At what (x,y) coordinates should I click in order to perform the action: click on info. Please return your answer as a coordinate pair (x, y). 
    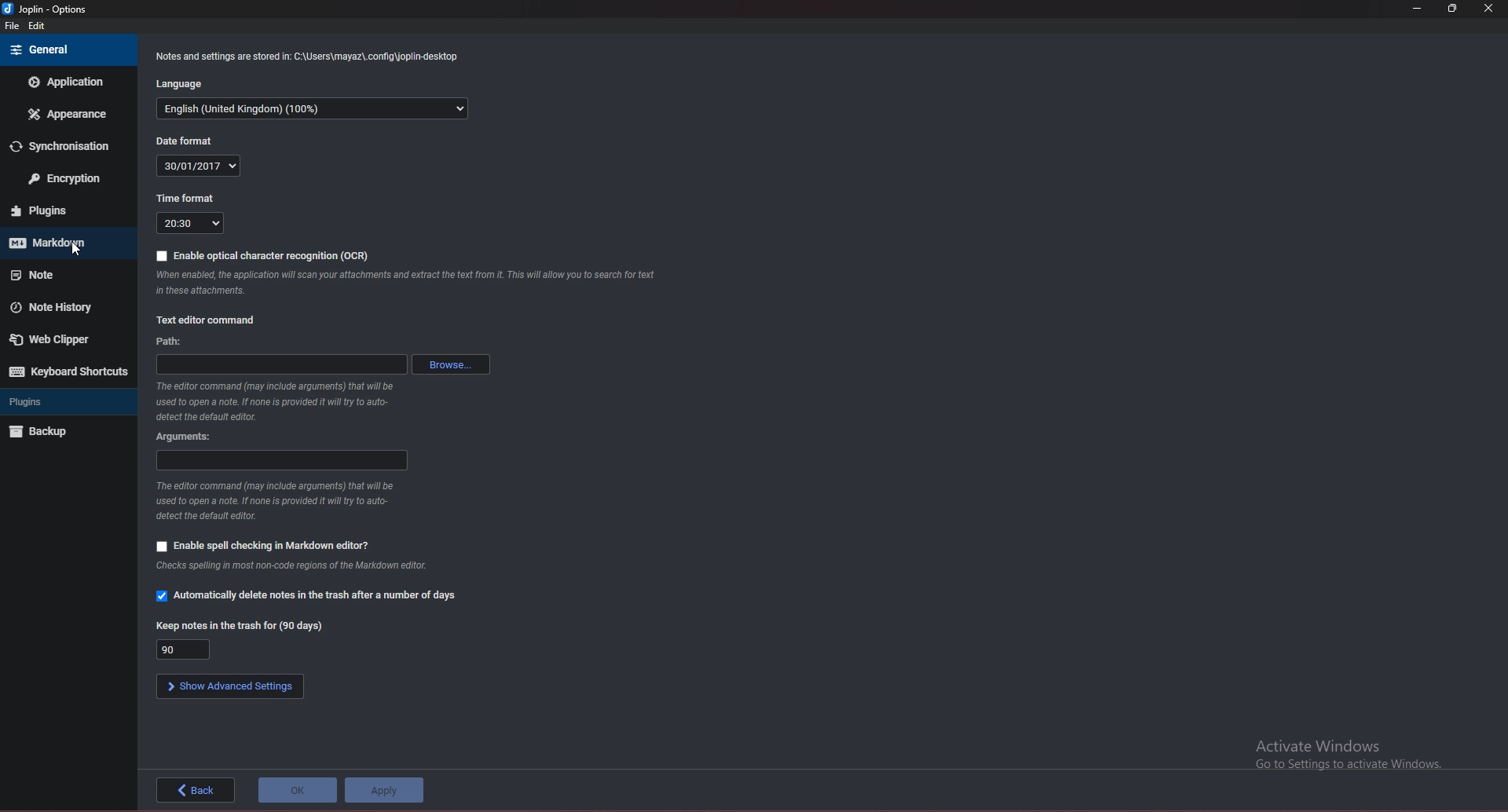
    Looking at the image, I should click on (287, 500).